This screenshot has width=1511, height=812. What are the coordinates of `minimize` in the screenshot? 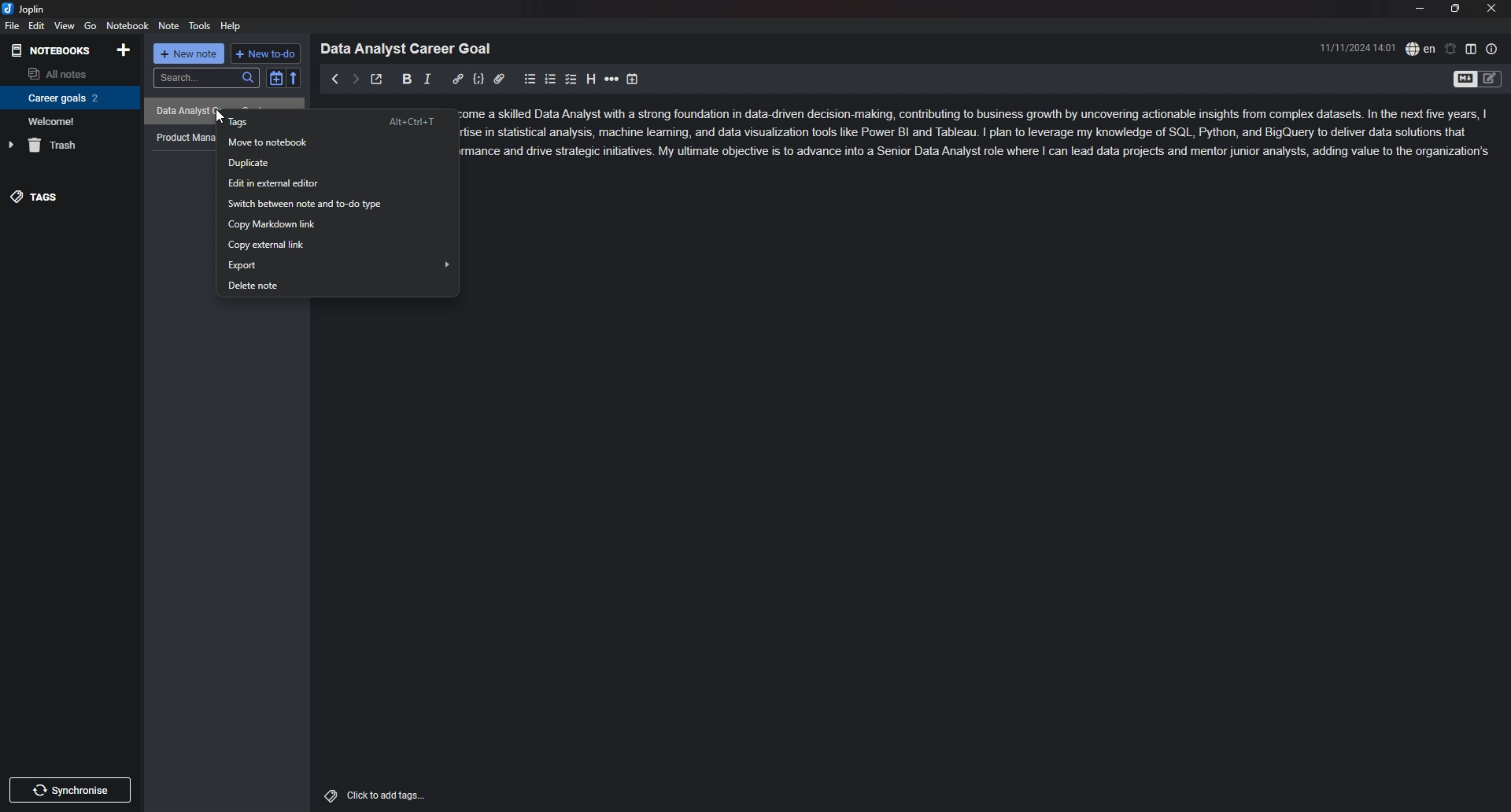 It's located at (1419, 8).